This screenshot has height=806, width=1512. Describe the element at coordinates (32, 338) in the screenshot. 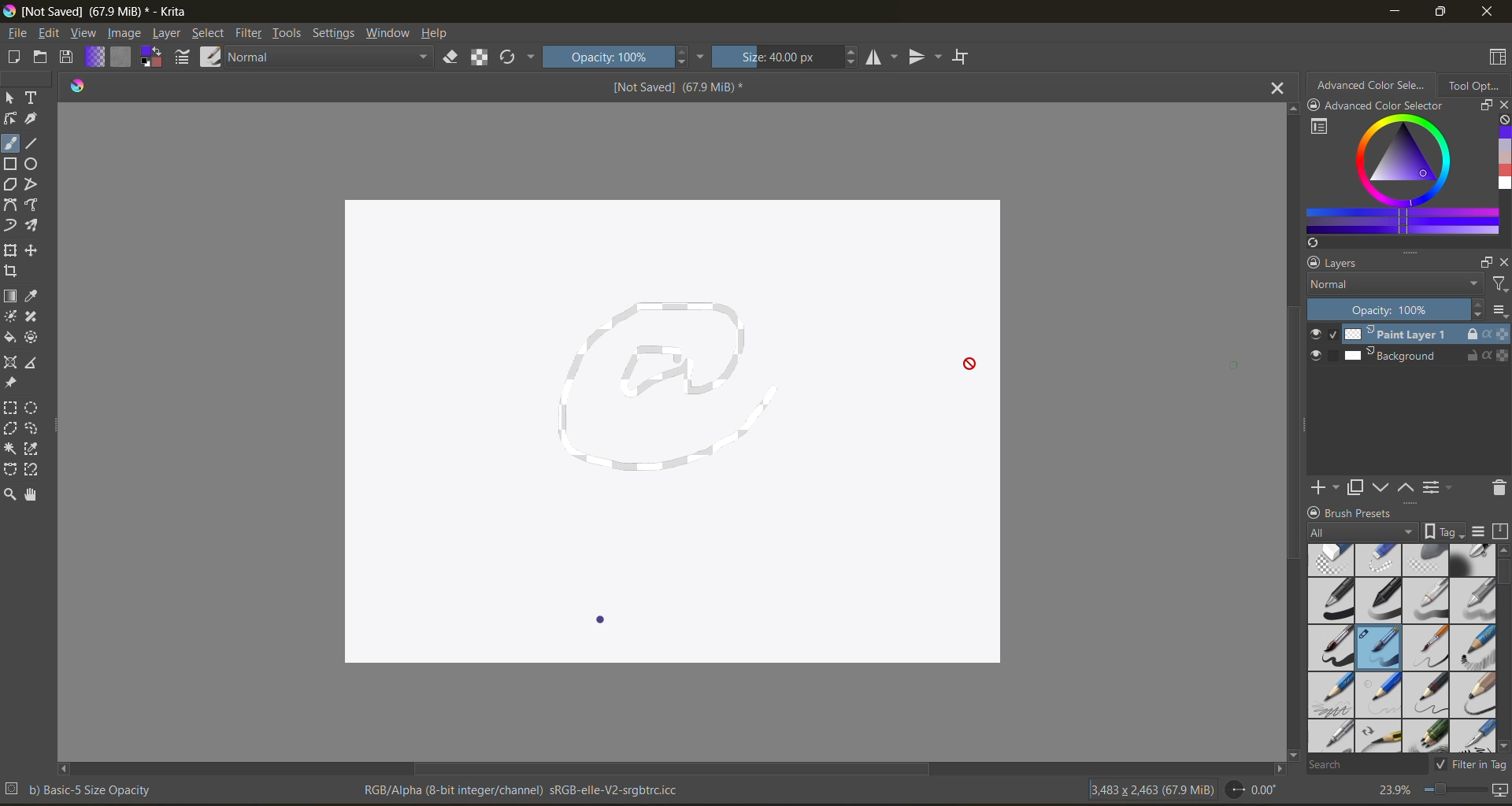

I see `enclose and fill` at that location.